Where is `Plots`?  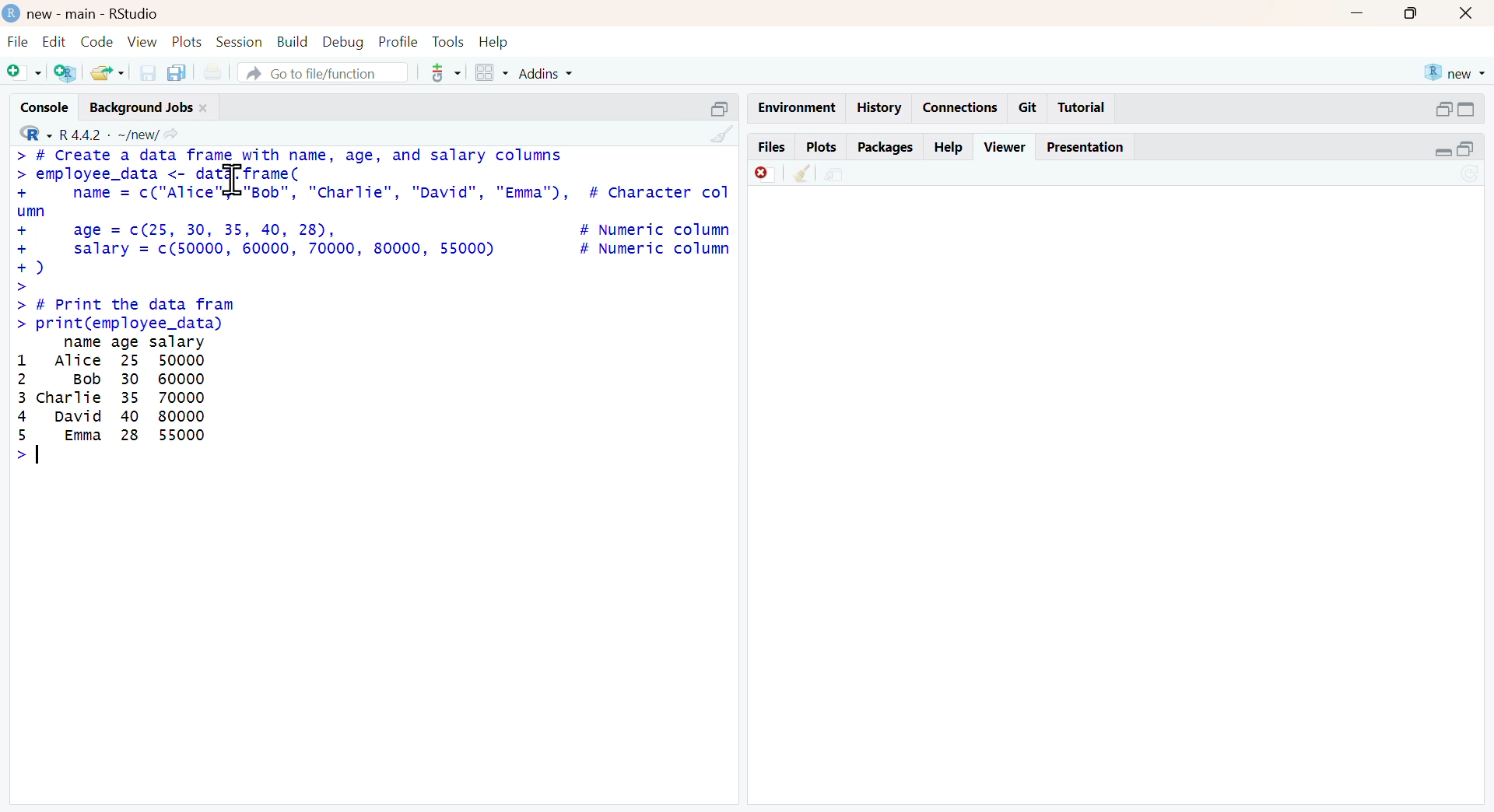
Plots is located at coordinates (186, 42).